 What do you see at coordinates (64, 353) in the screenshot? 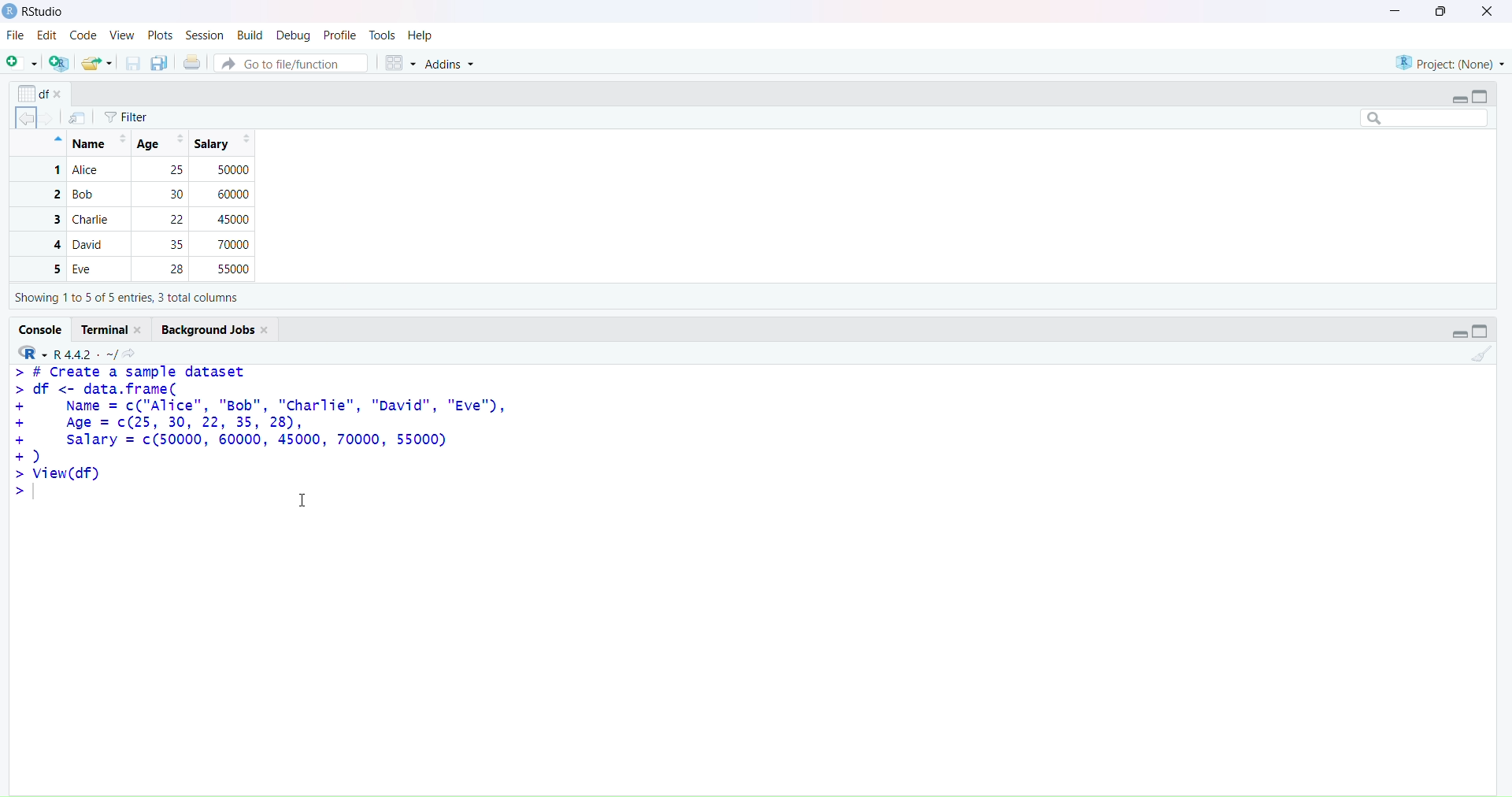
I see `R 4.4.2` at bounding box center [64, 353].